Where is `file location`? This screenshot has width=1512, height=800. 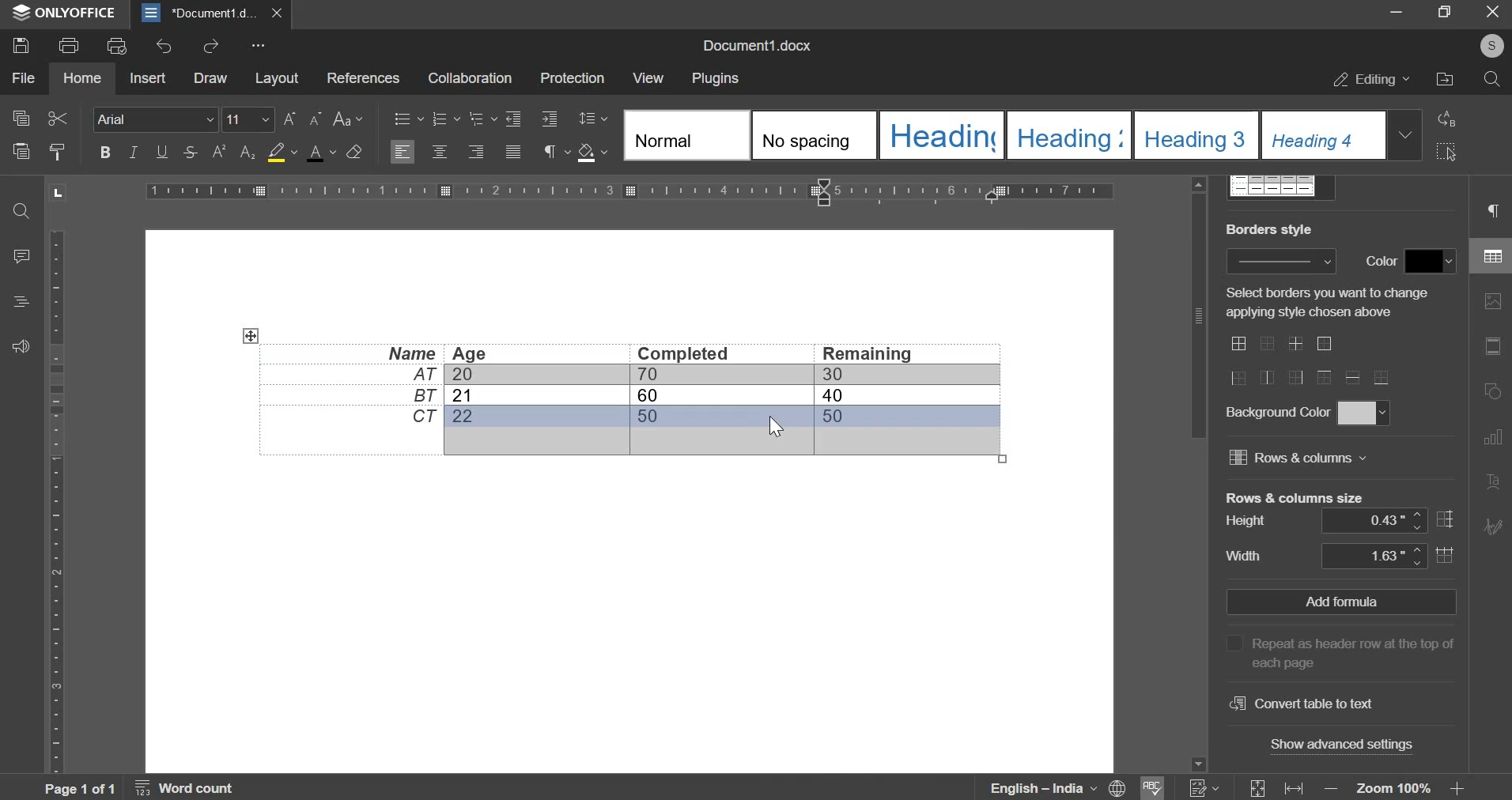
file location is located at coordinates (1444, 79).